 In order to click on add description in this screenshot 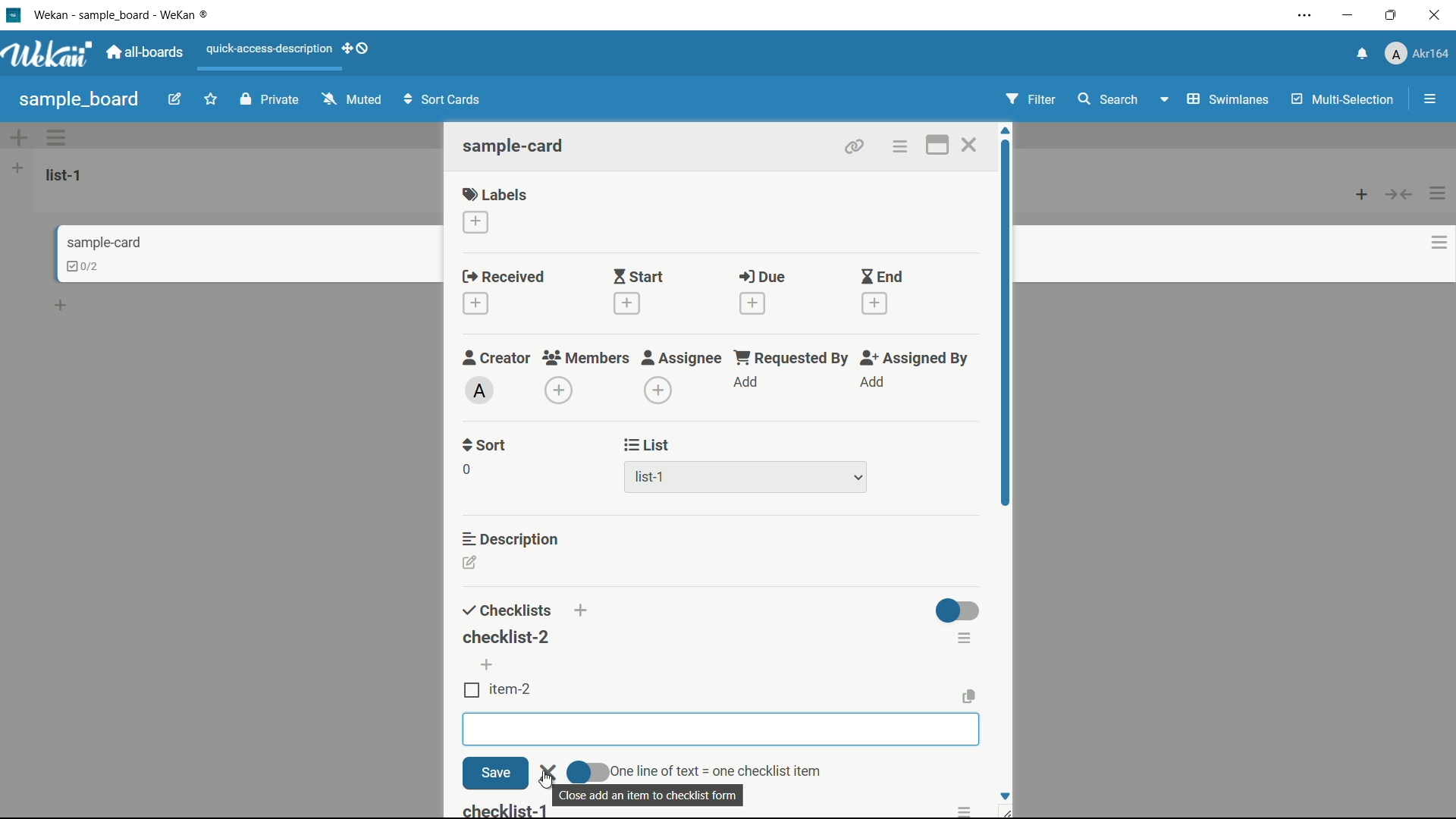, I will do `click(471, 565)`.